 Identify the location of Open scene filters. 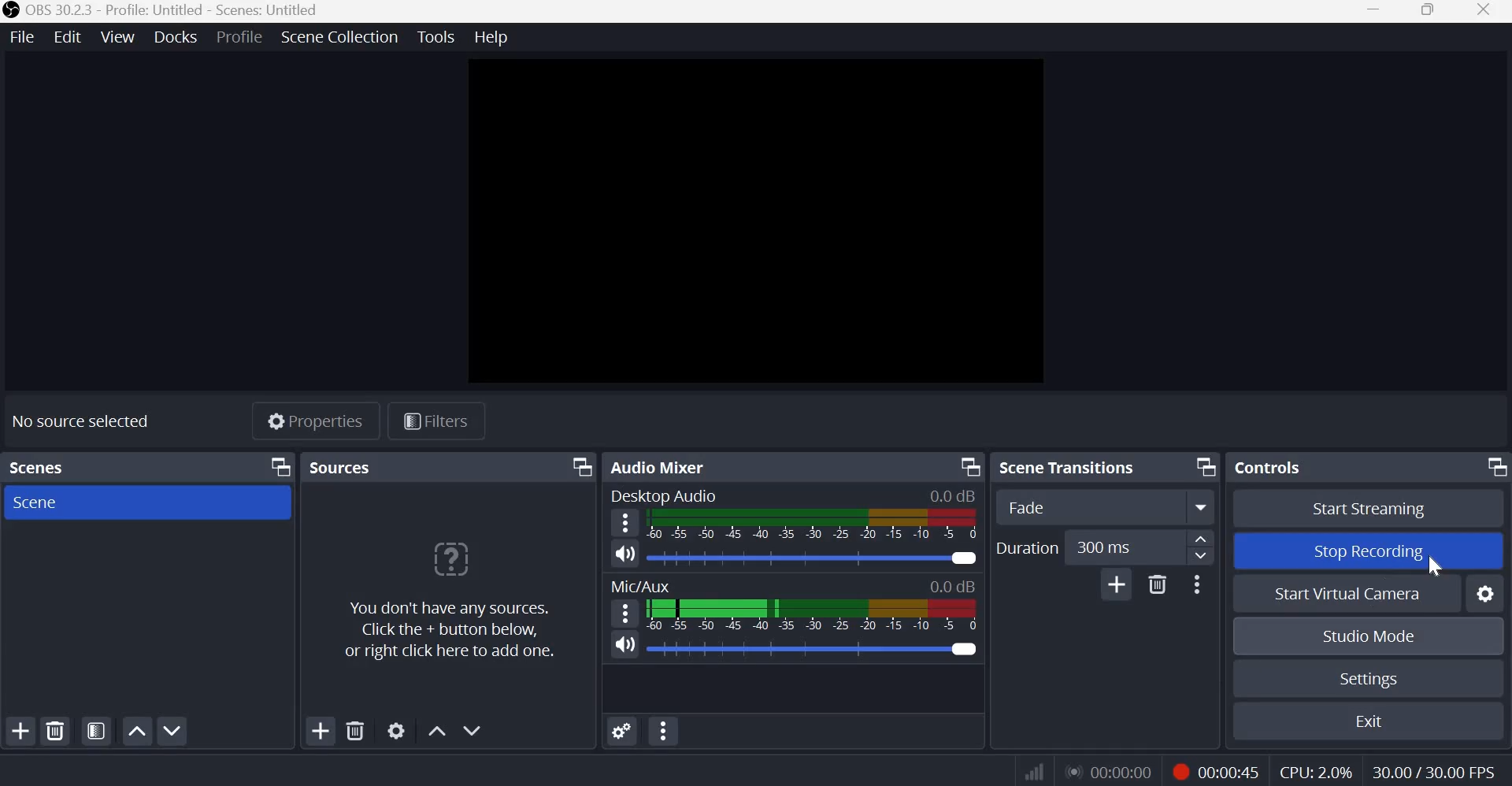
(97, 730).